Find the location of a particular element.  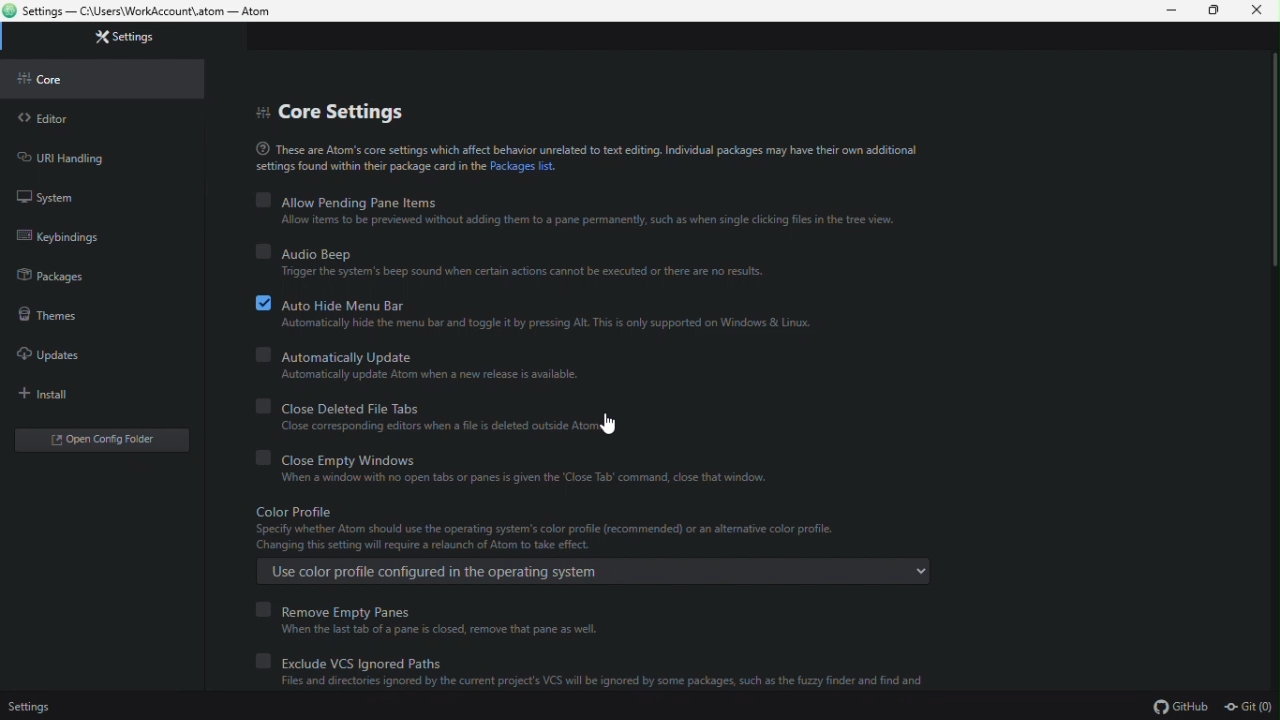

Automatically update Atom when a new release is available. is located at coordinates (427, 376).